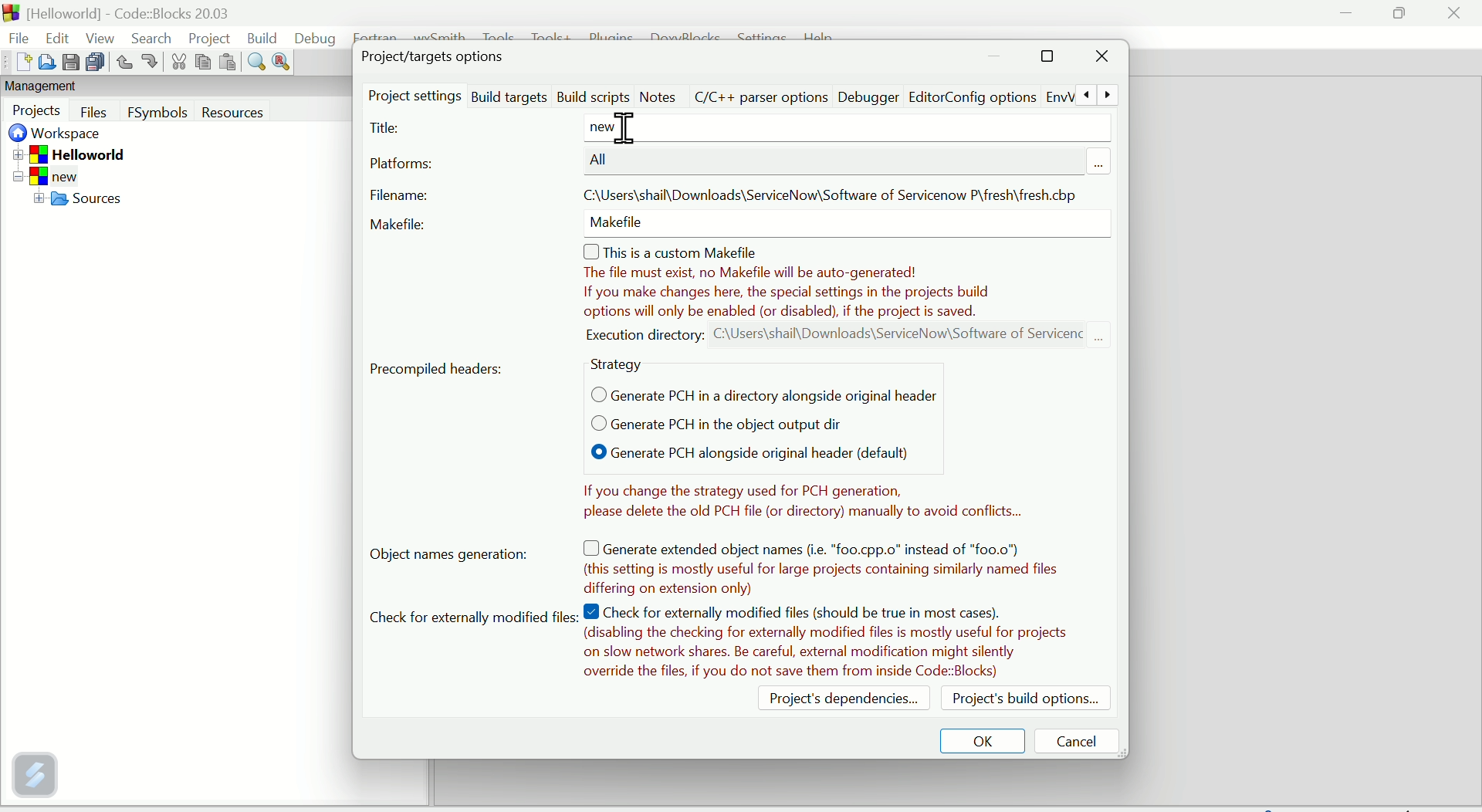 This screenshot has height=812, width=1482. I want to click on Make file, so click(401, 225).